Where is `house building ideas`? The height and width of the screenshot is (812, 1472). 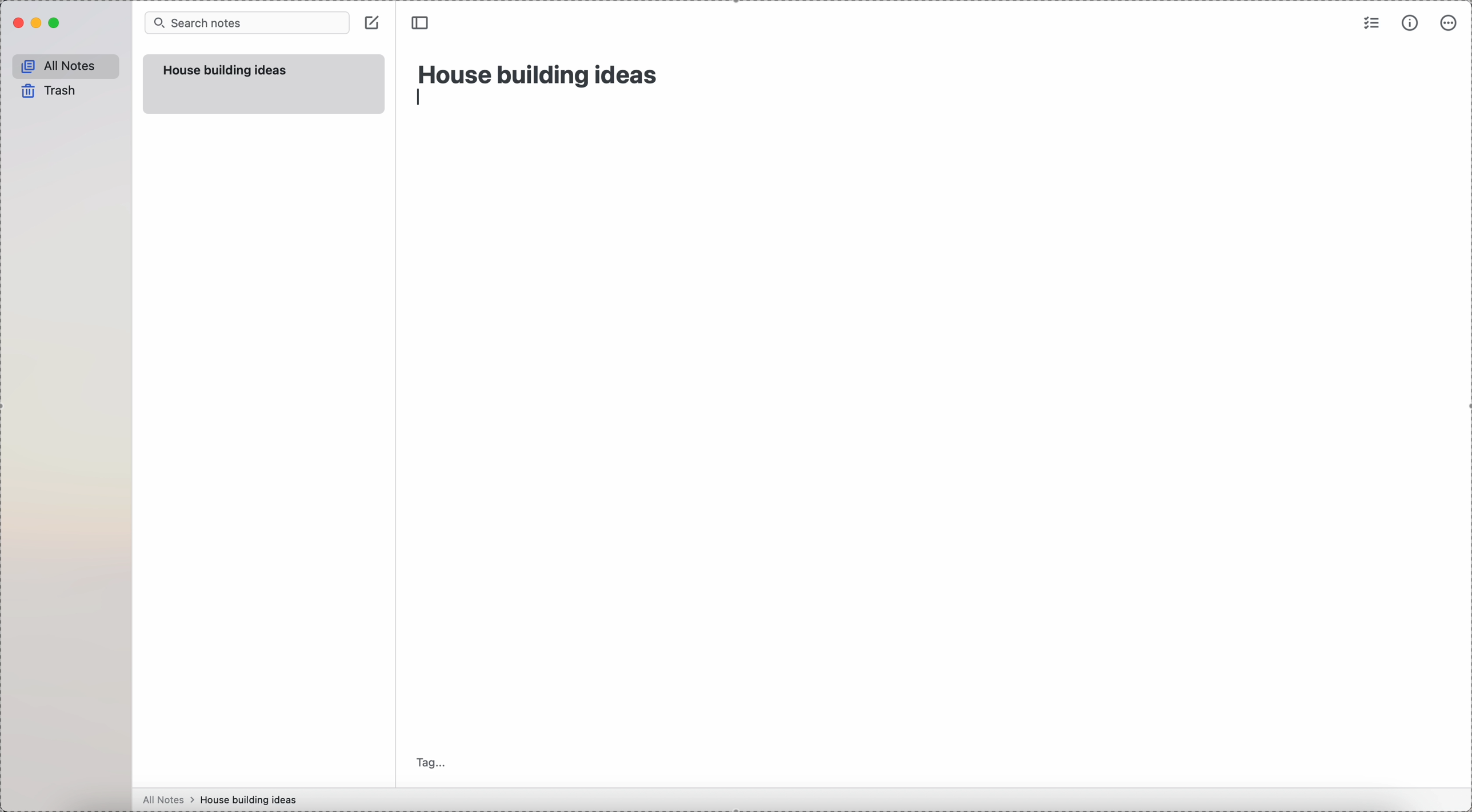
house building ideas is located at coordinates (539, 73).